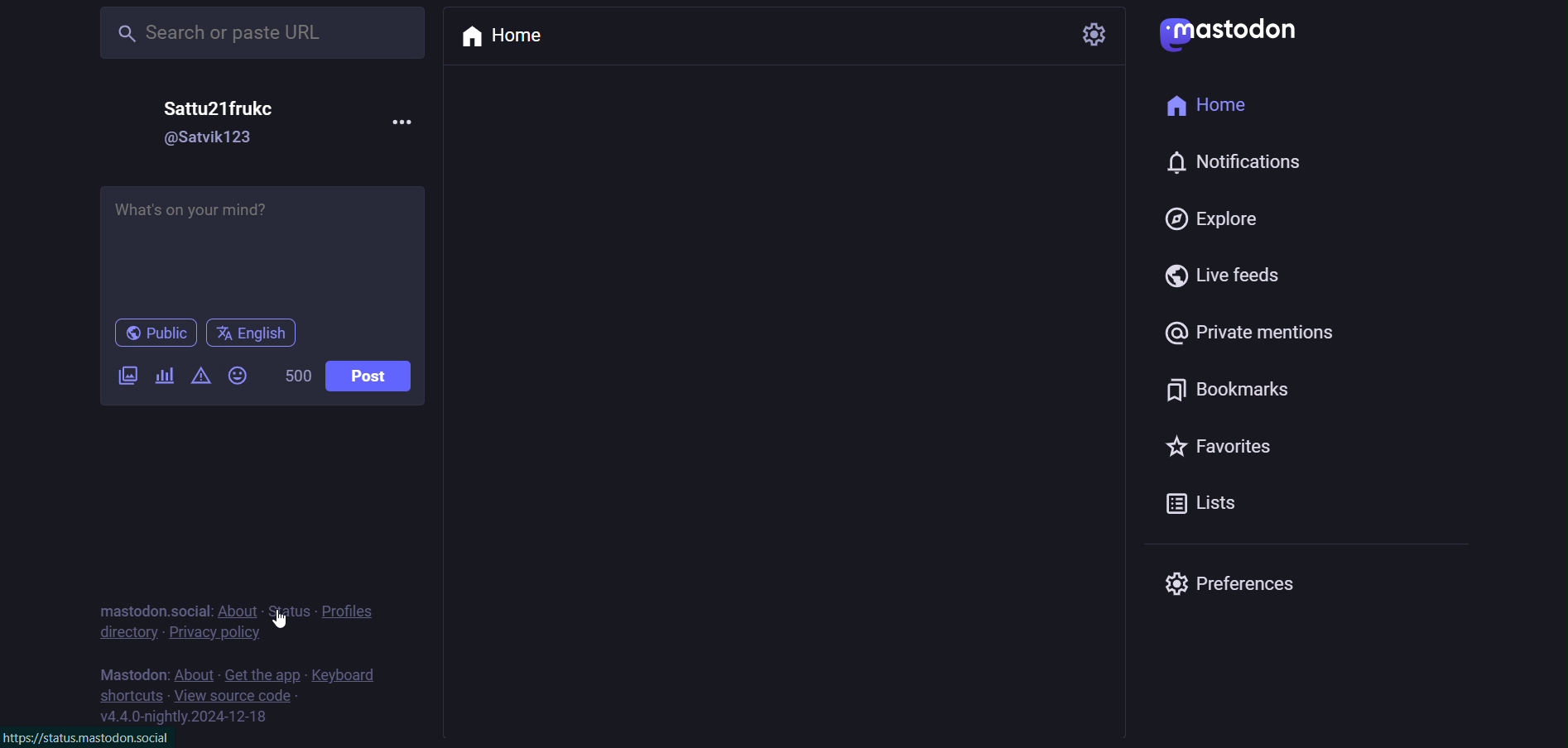  Describe the element at coordinates (199, 377) in the screenshot. I see `content warning` at that location.